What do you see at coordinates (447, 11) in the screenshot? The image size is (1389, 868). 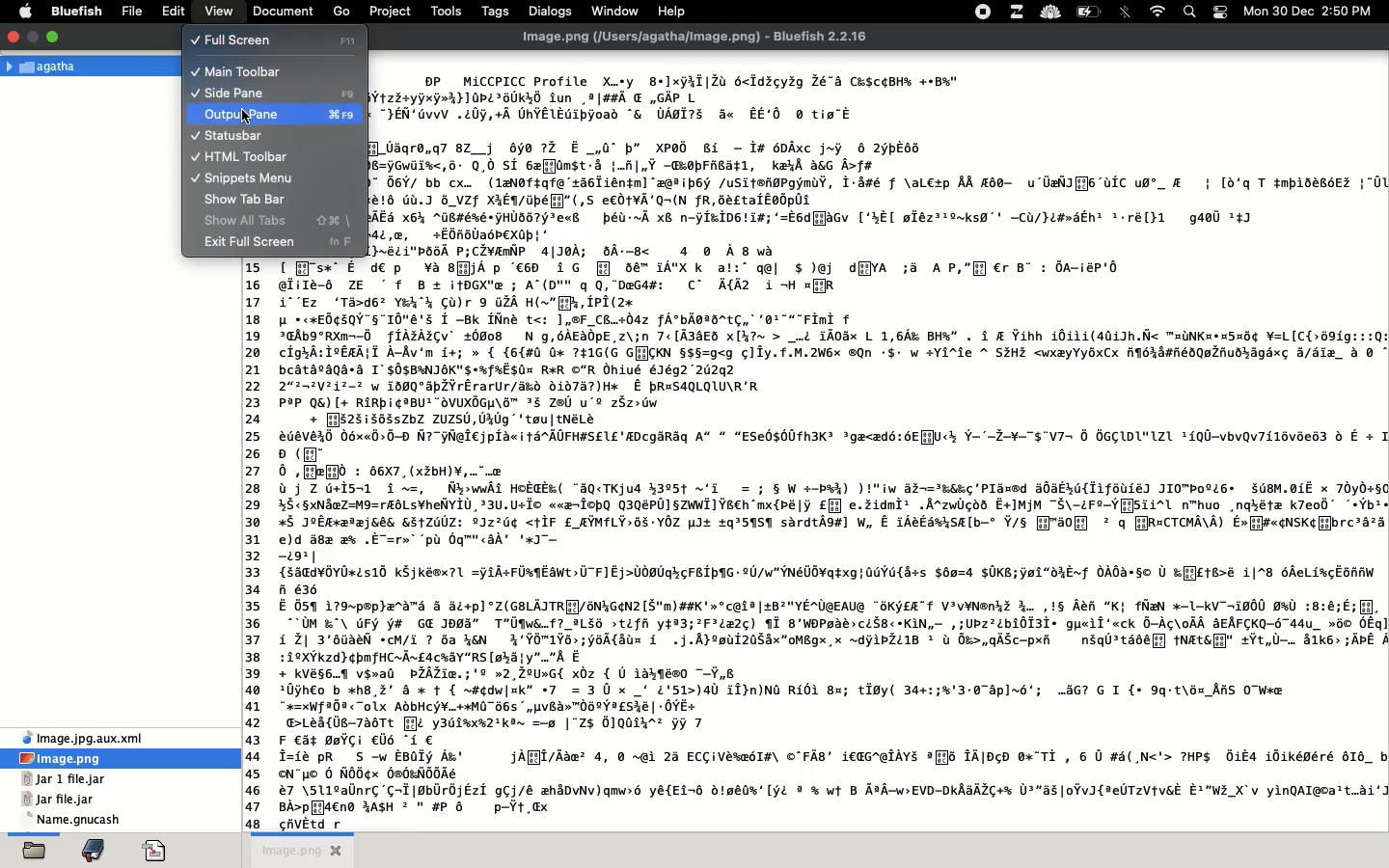 I see `tools` at bounding box center [447, 11].